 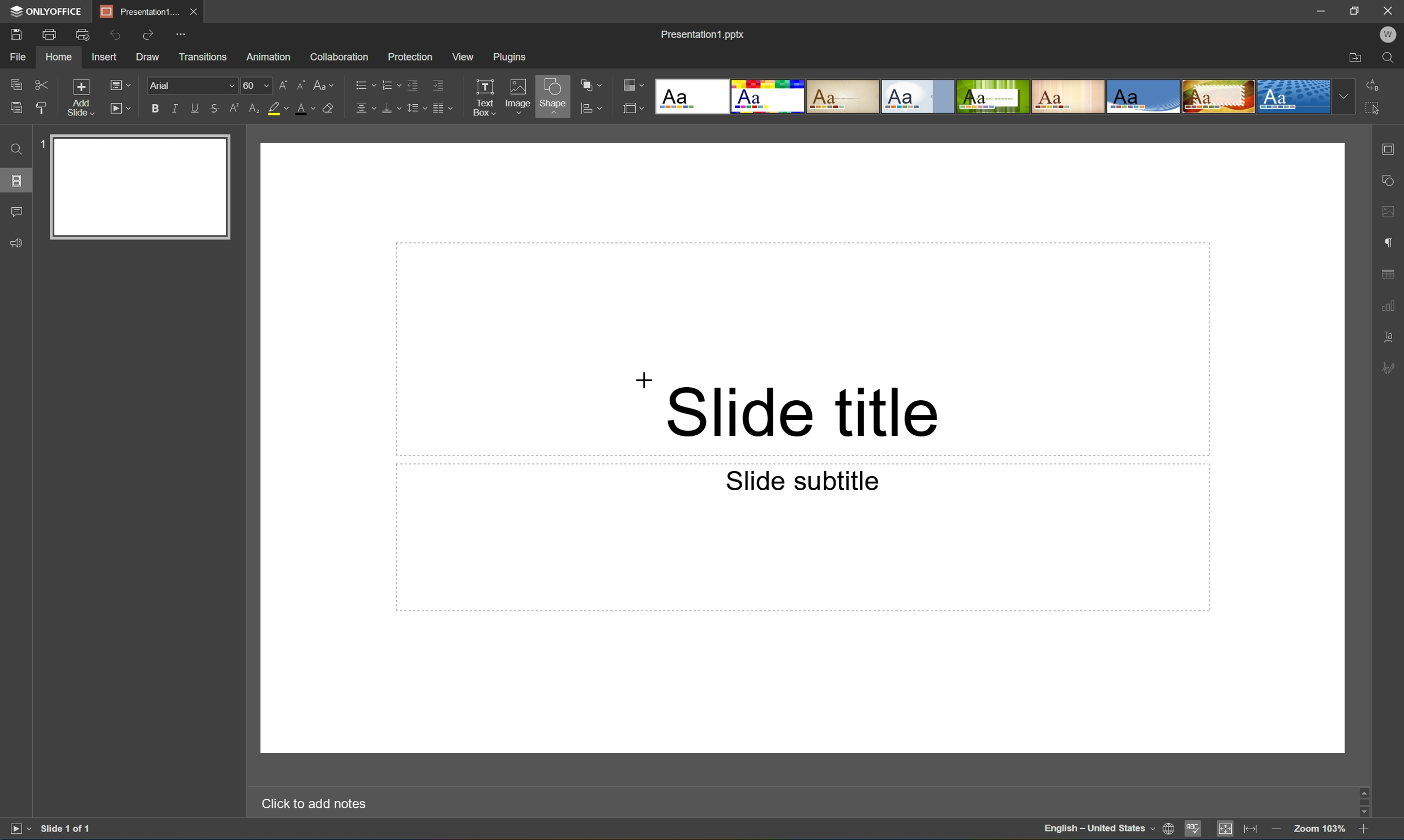 What do you see at coordinates (307, 110) in the screenshot?
I see `Font color` at bounding box center [307, 110].